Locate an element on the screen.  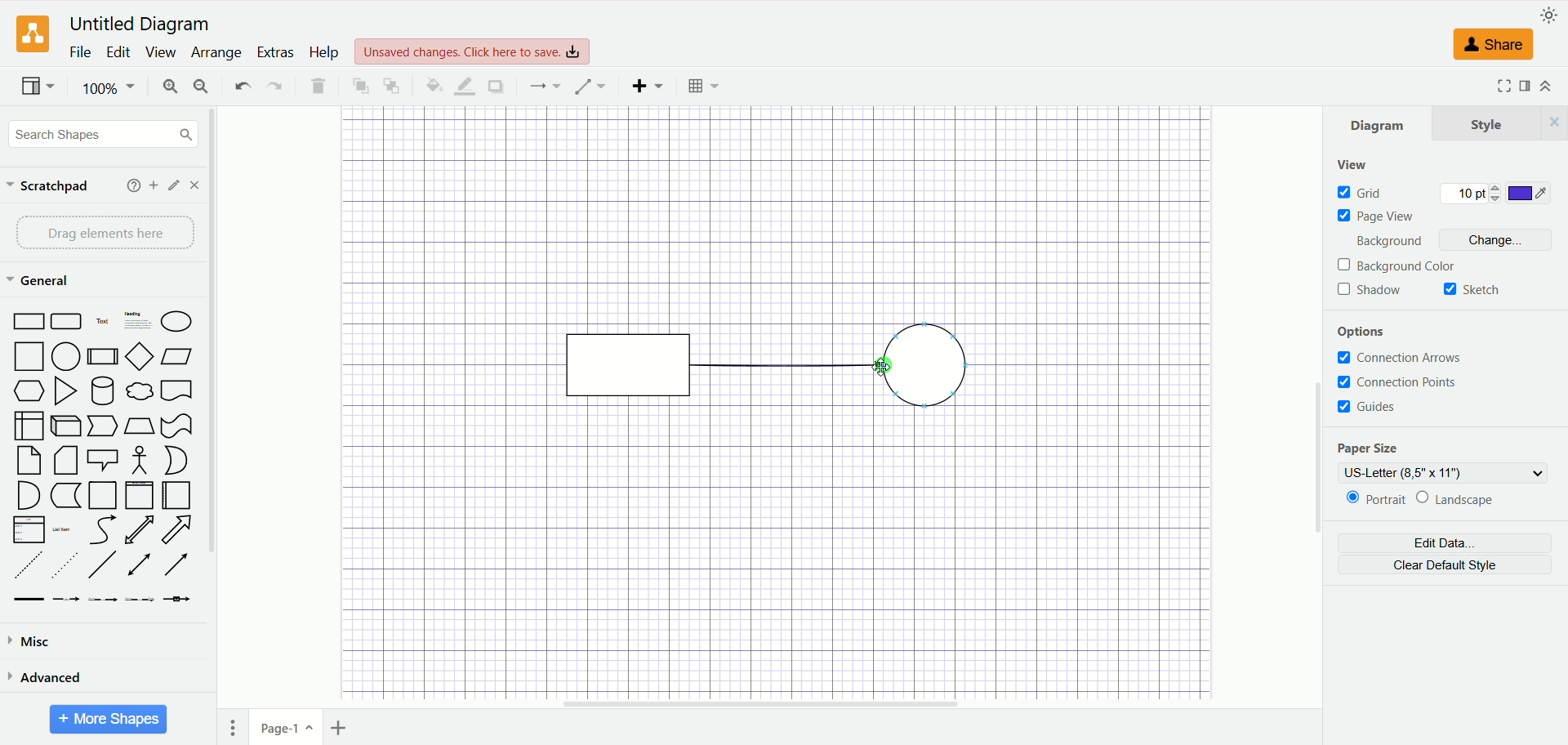
insert is located at coordinates (648, 87).